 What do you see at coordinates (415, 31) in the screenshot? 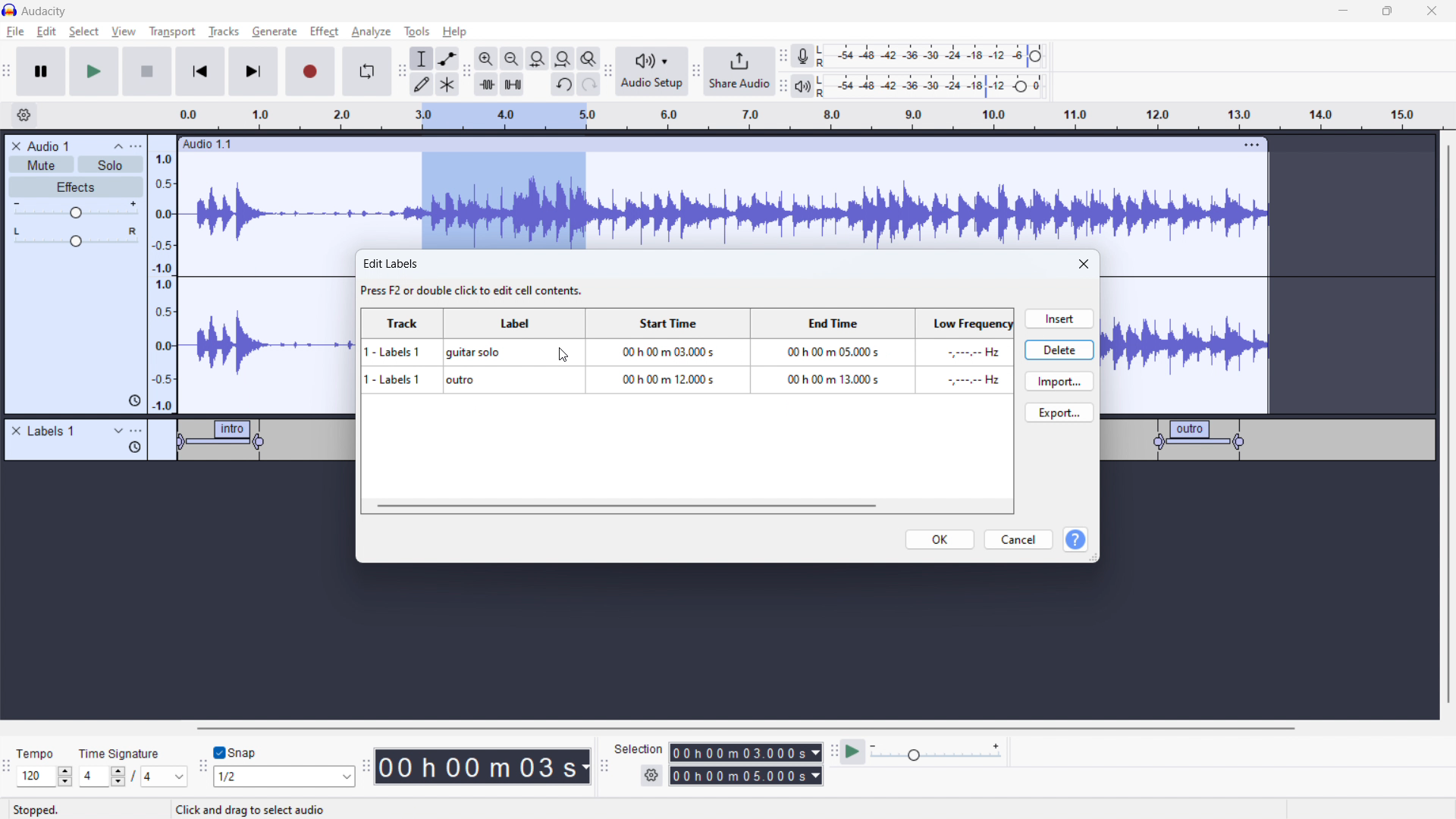
I see `tools` at bounding box center [415, 31].